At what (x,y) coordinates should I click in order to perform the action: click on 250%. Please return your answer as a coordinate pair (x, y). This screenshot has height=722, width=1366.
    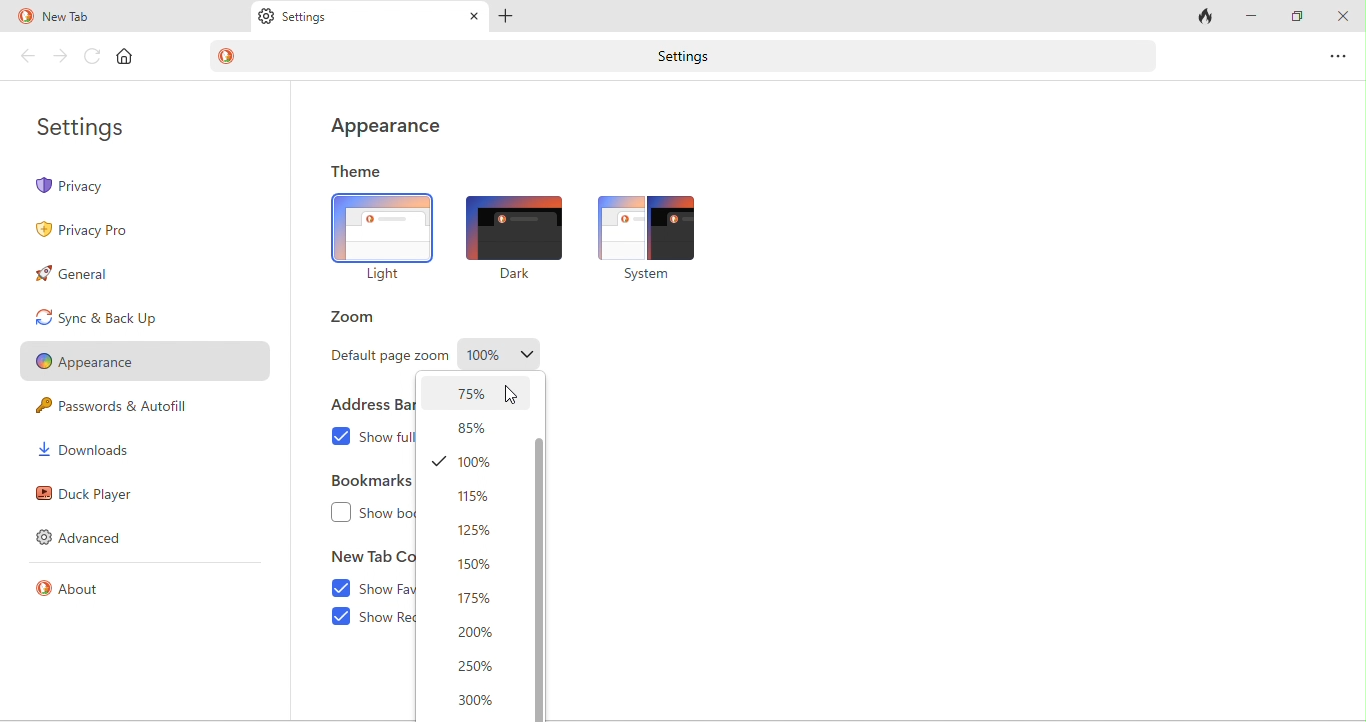
    Looking at the image, I should click on (475, 667).